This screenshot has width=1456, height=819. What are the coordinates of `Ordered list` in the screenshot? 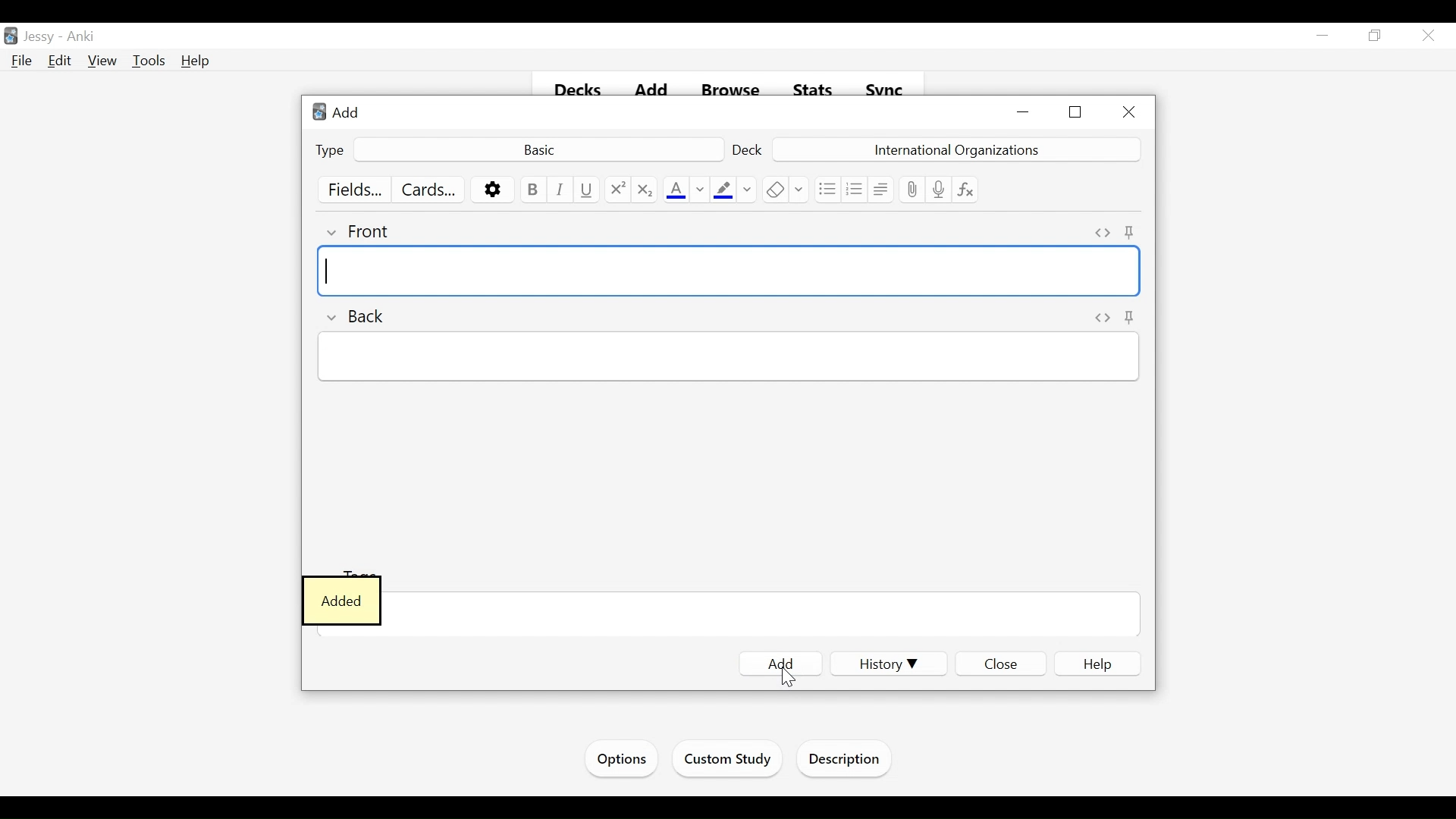 It's located at (853, 188).